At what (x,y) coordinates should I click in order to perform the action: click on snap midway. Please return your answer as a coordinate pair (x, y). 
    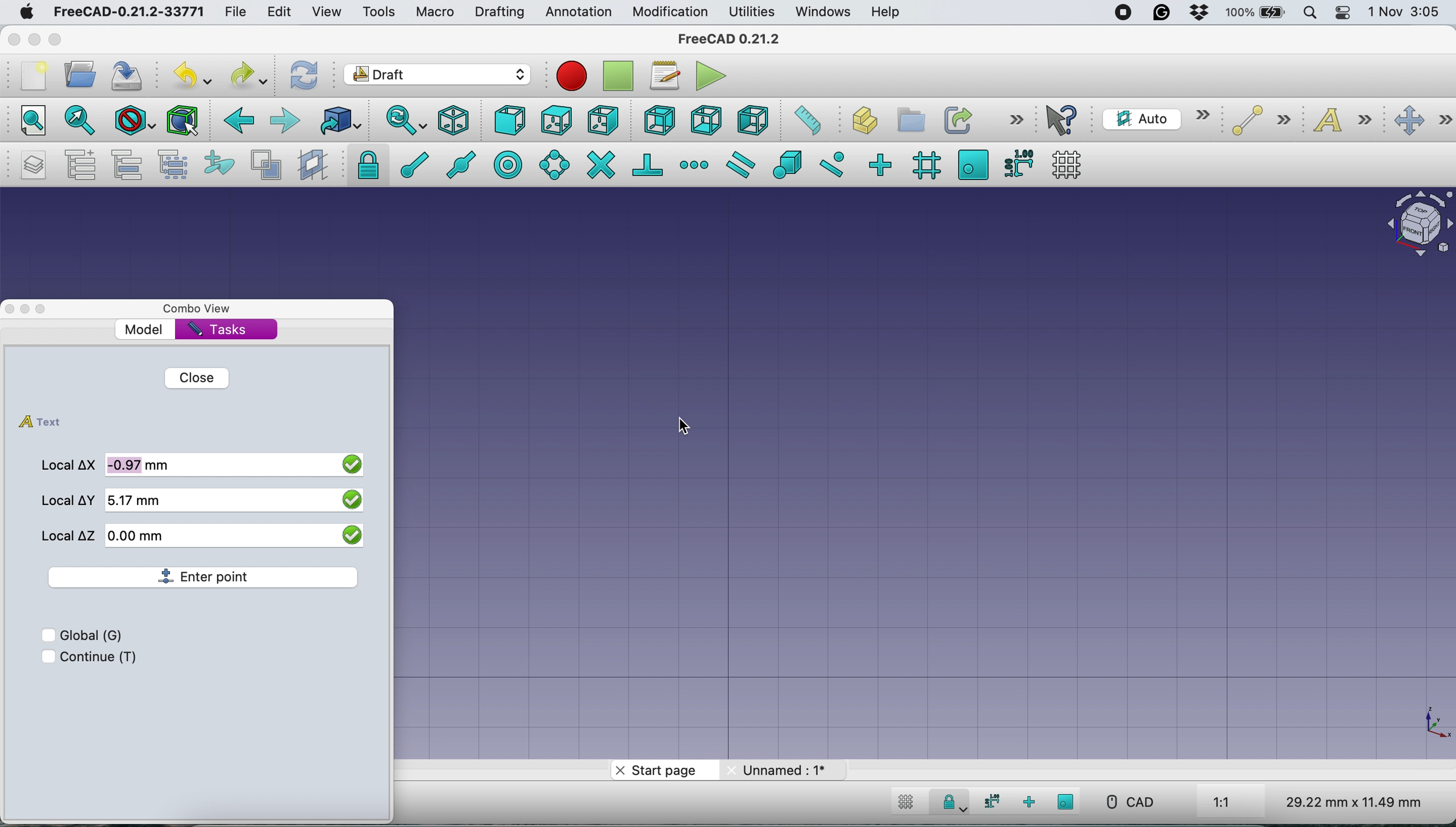
    Looking at the image, I should click on (457, 166).